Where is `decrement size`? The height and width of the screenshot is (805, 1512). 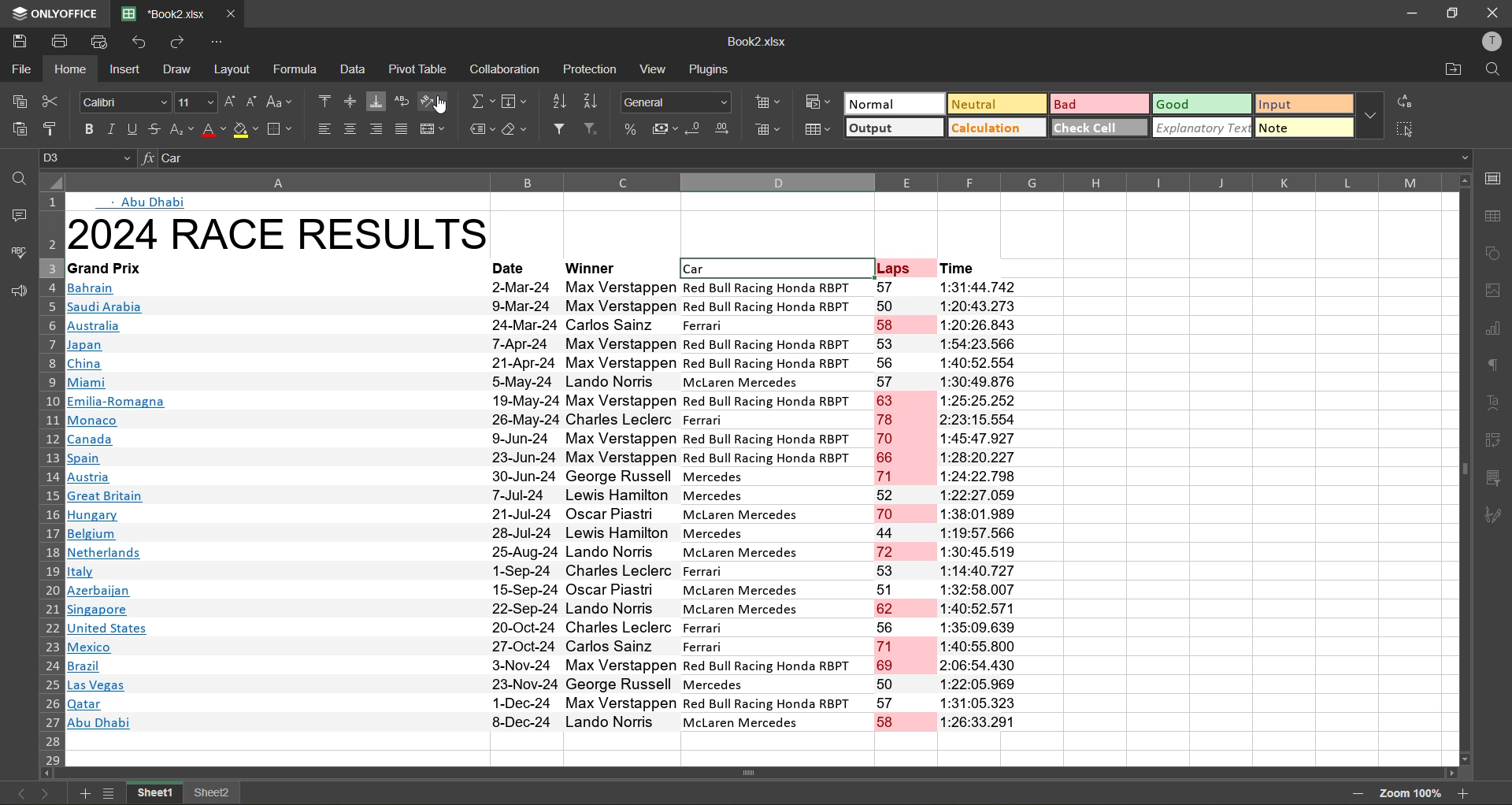 decrement size is located at coordinates (252, 100).